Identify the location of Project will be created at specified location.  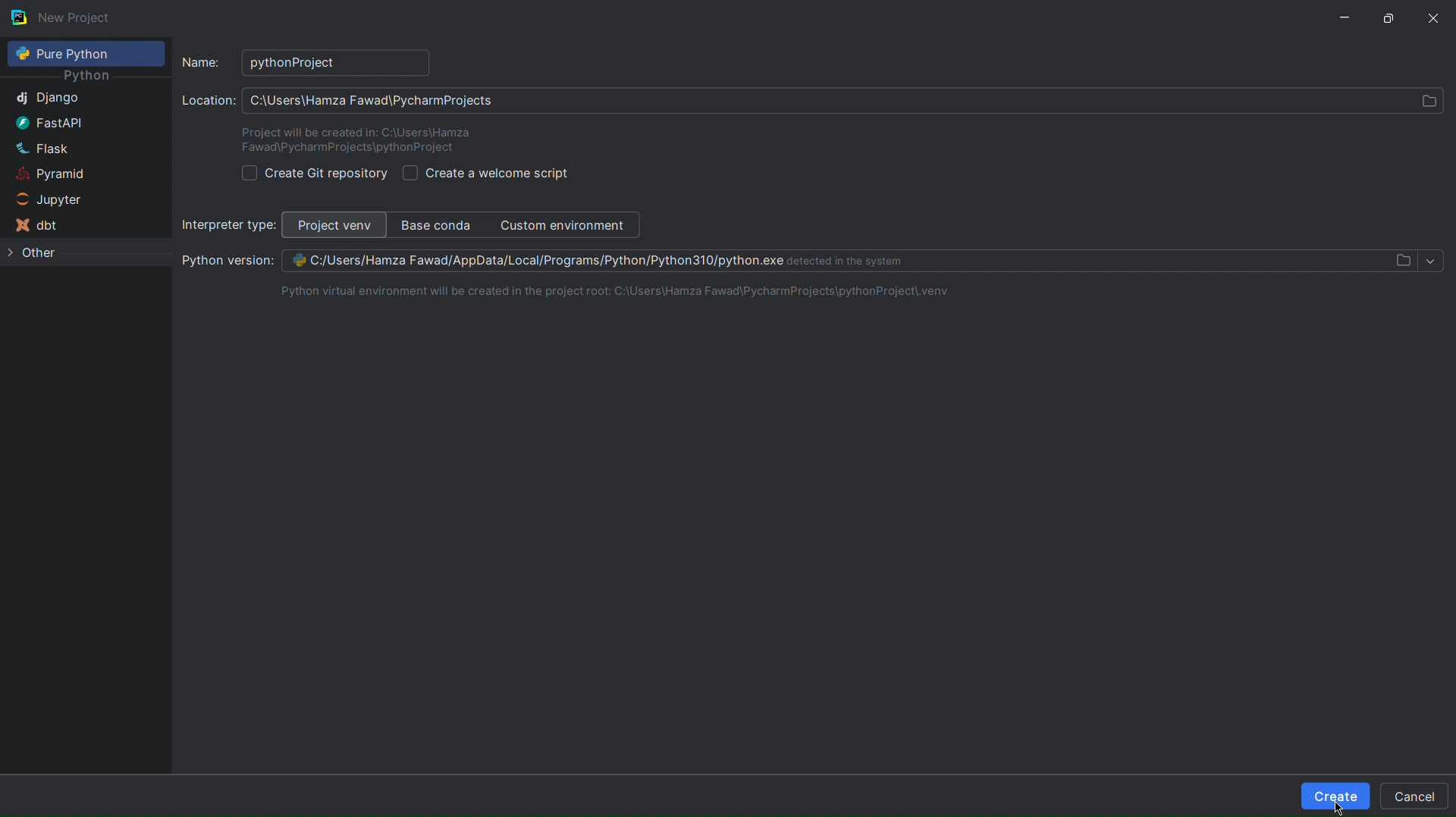
(355, 130).